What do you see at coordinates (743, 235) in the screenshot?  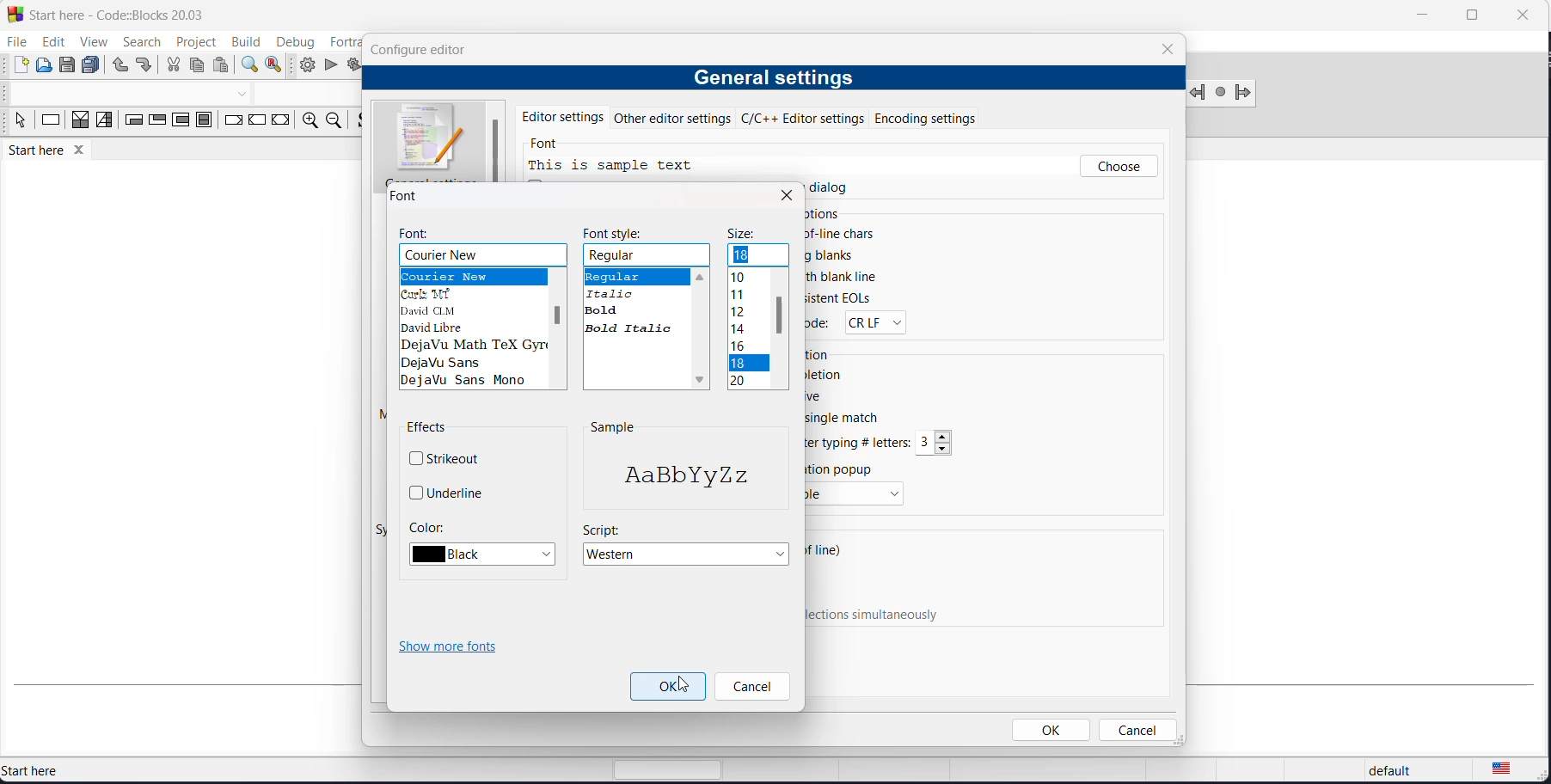 I see `size ` at bounding box center [743, 235].